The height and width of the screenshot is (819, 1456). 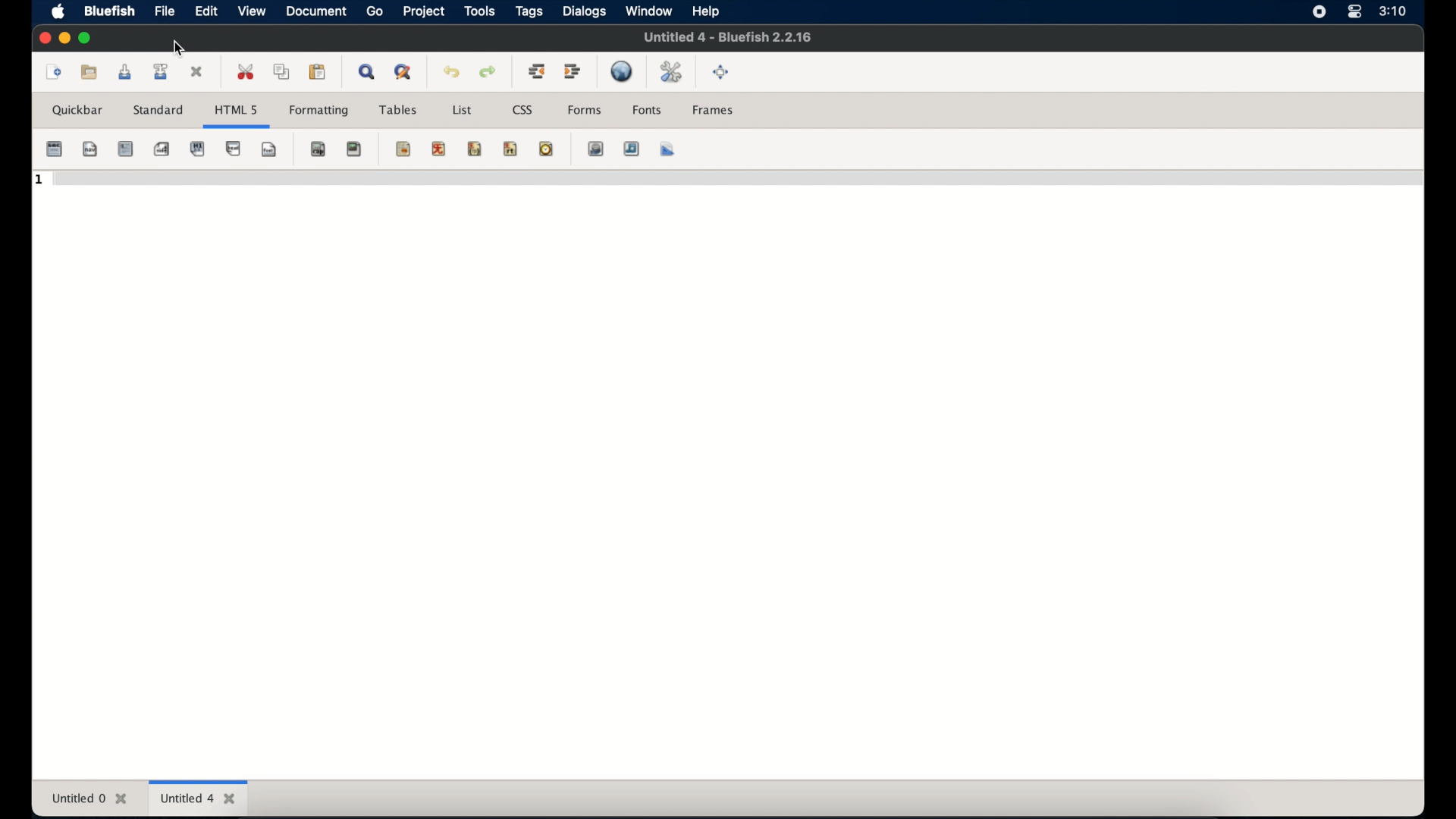 What do you see at coordinates (666, 148) in the screenshot?
I see `multi thumbnail` at bounding box center [666, 148].